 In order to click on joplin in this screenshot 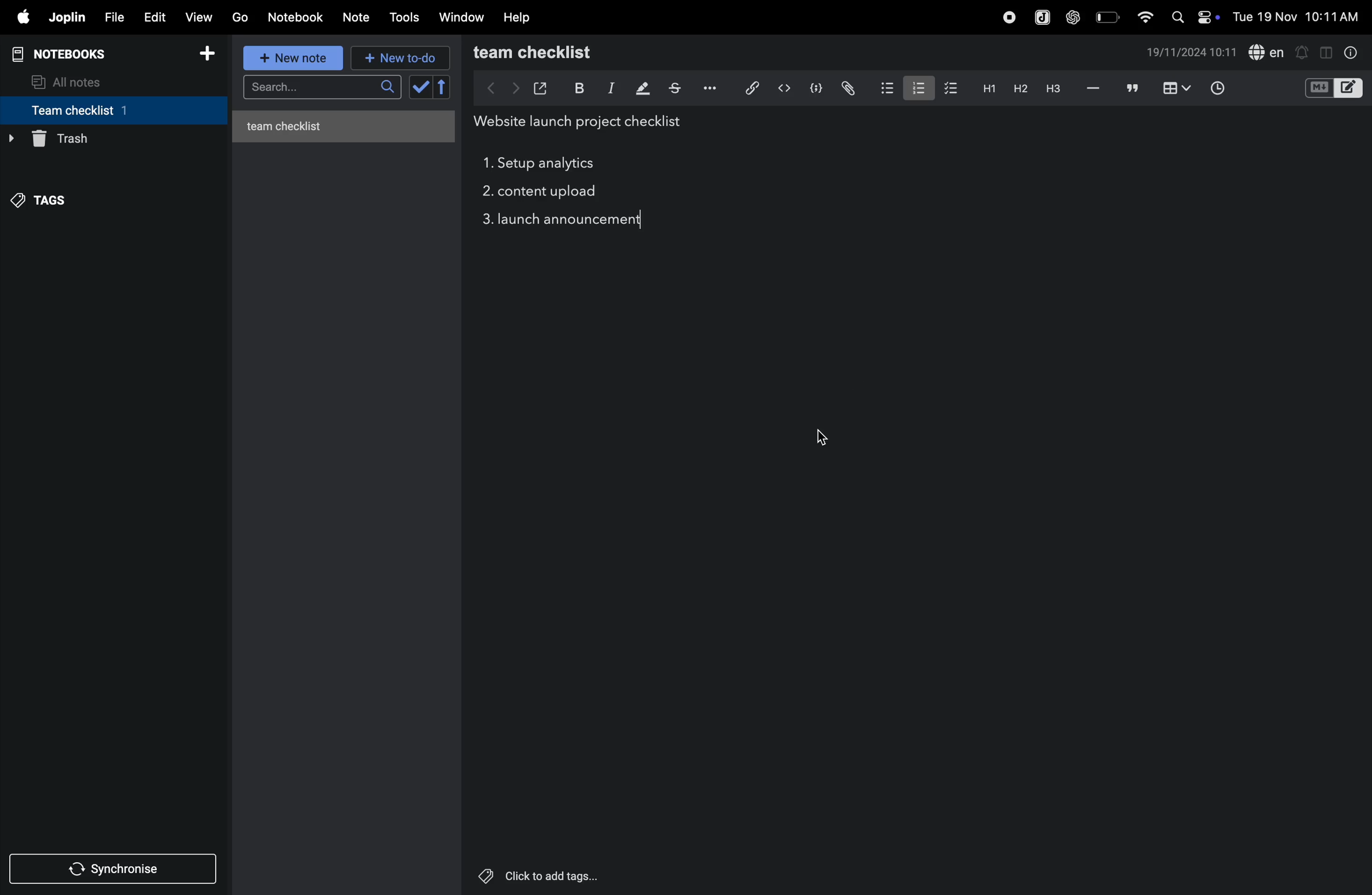, I will do `click(68, 18)`.